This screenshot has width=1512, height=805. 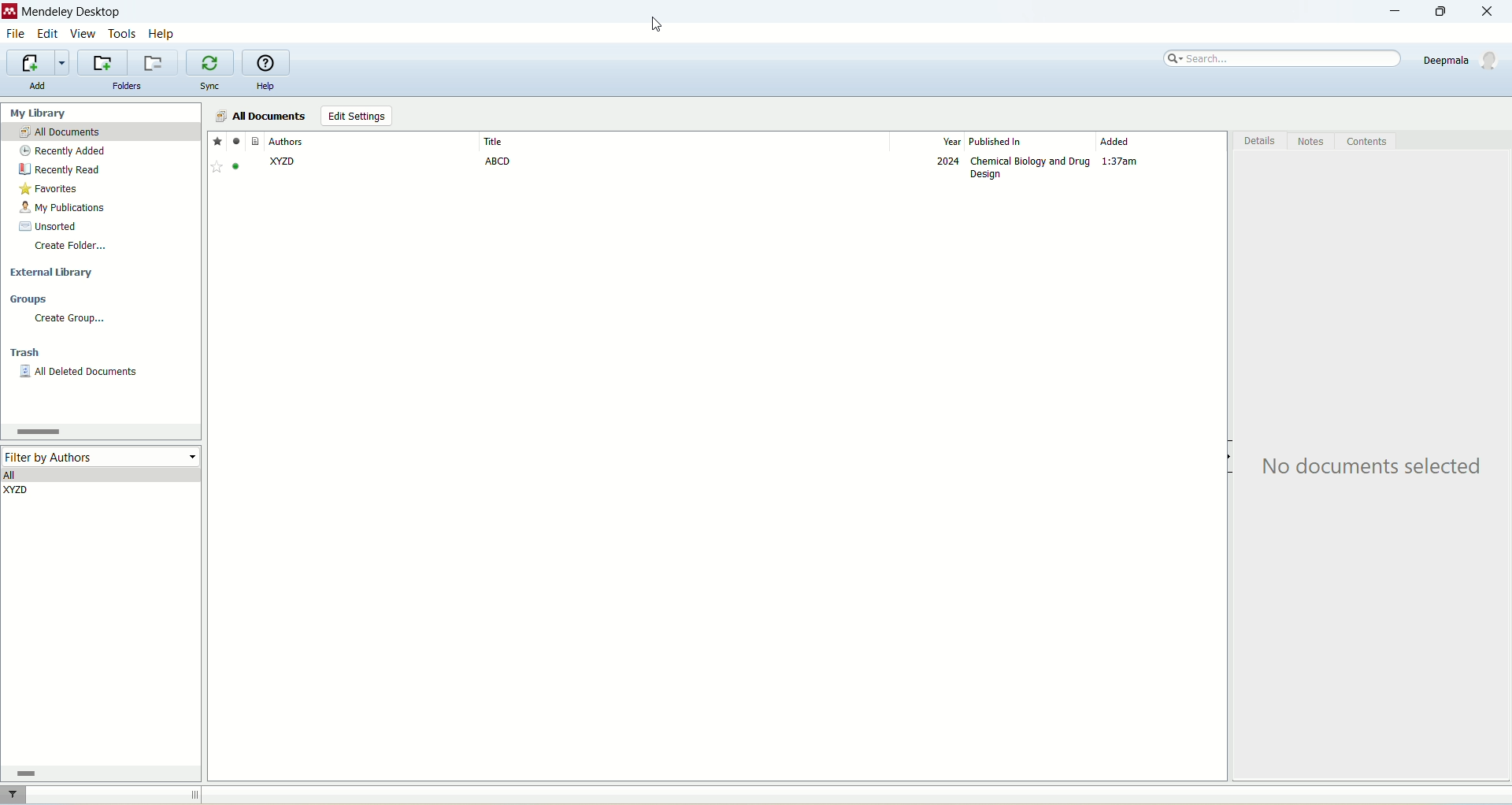 I want to click on sync, so click(x=212, y=87).